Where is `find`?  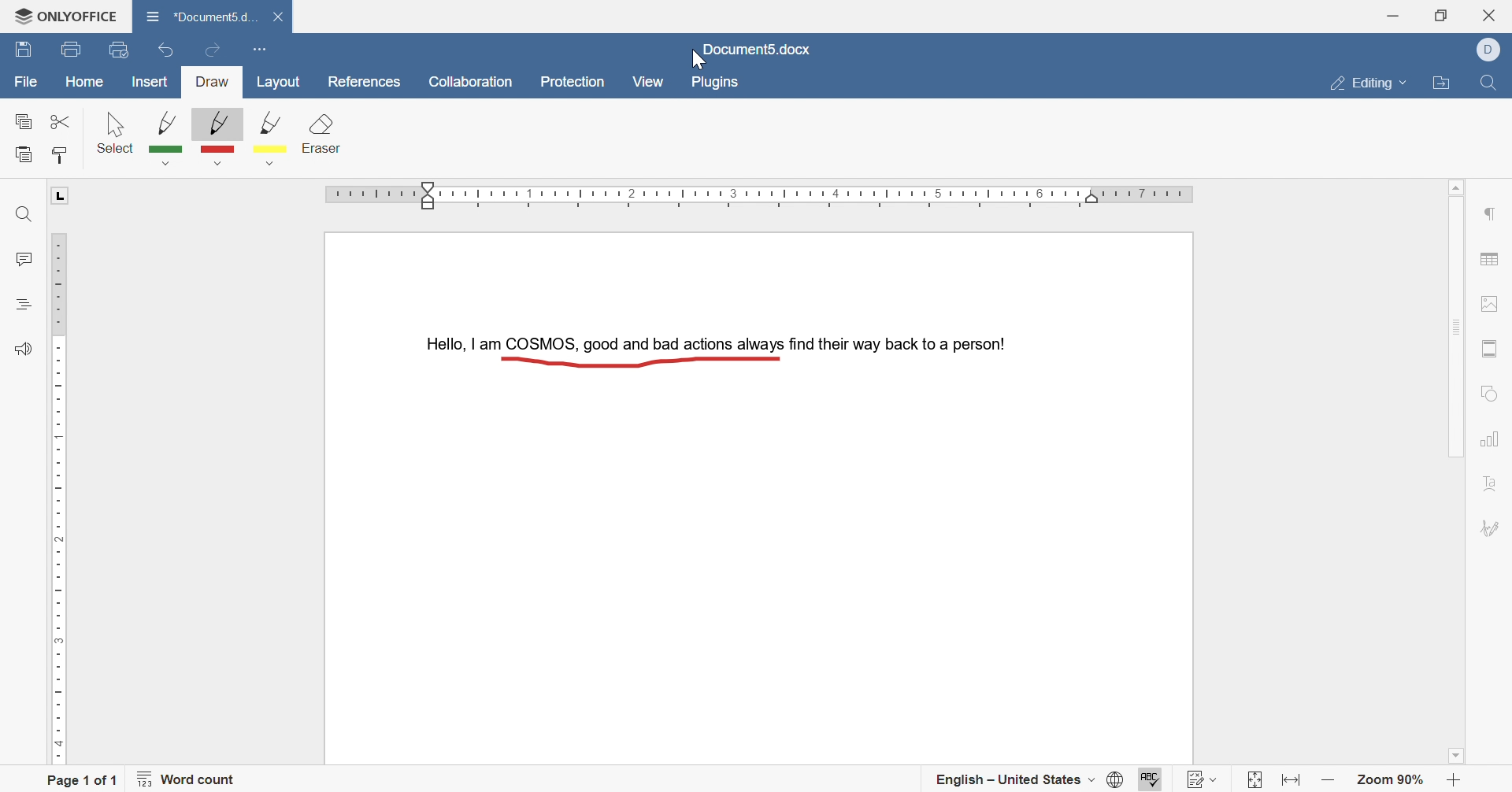 find is located at coordinates (21, 216).